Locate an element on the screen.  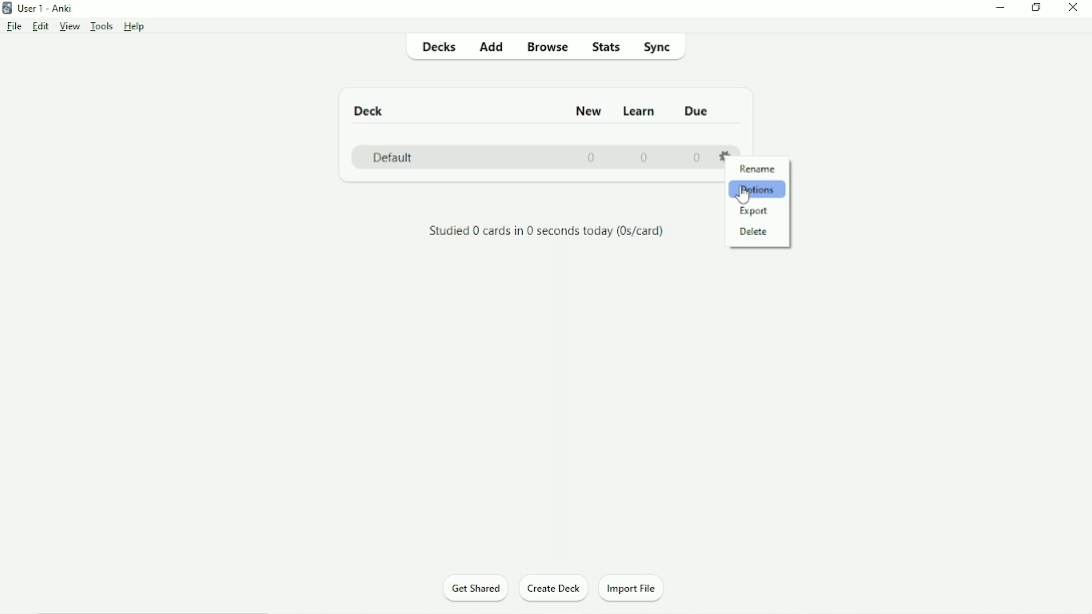
Edit is located at coordinates (41, 27).